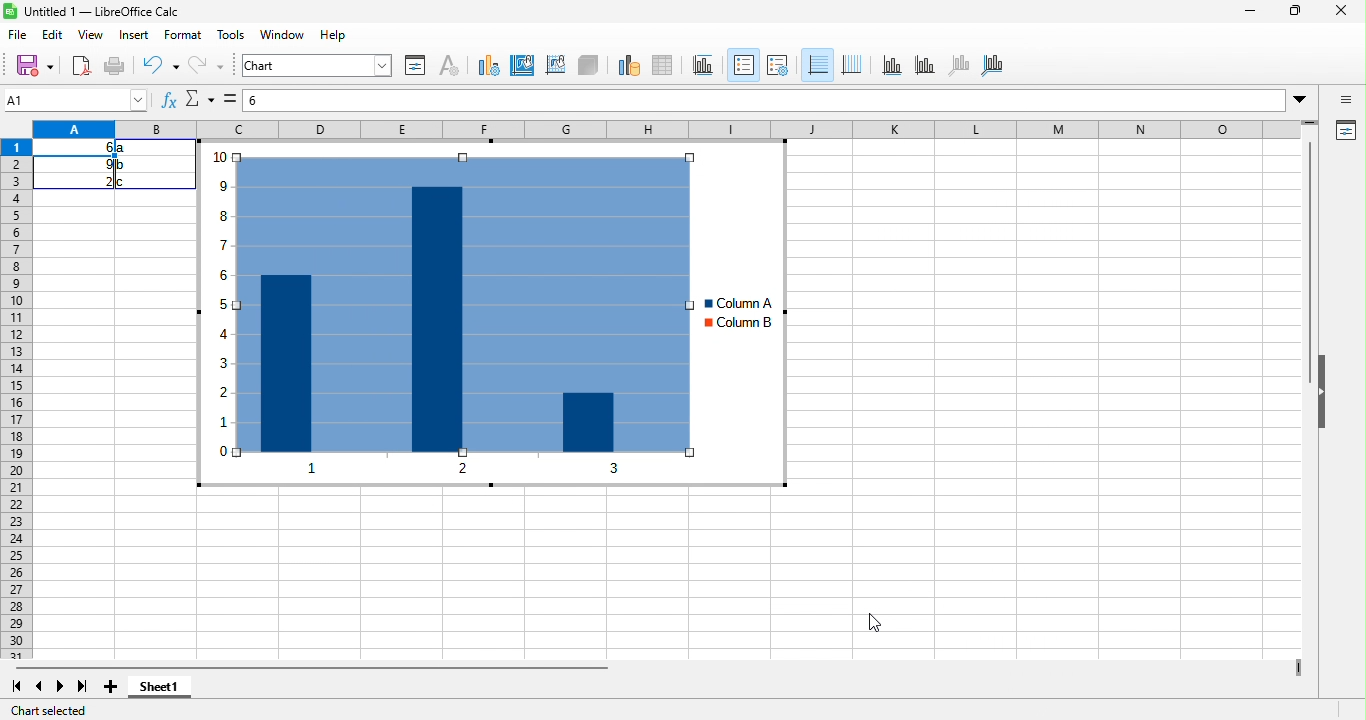 The width and height of the screenshot is (1366, 720). Describe the element at coordinates (674, 129) in the screenshot. I see `column headings` at that location.